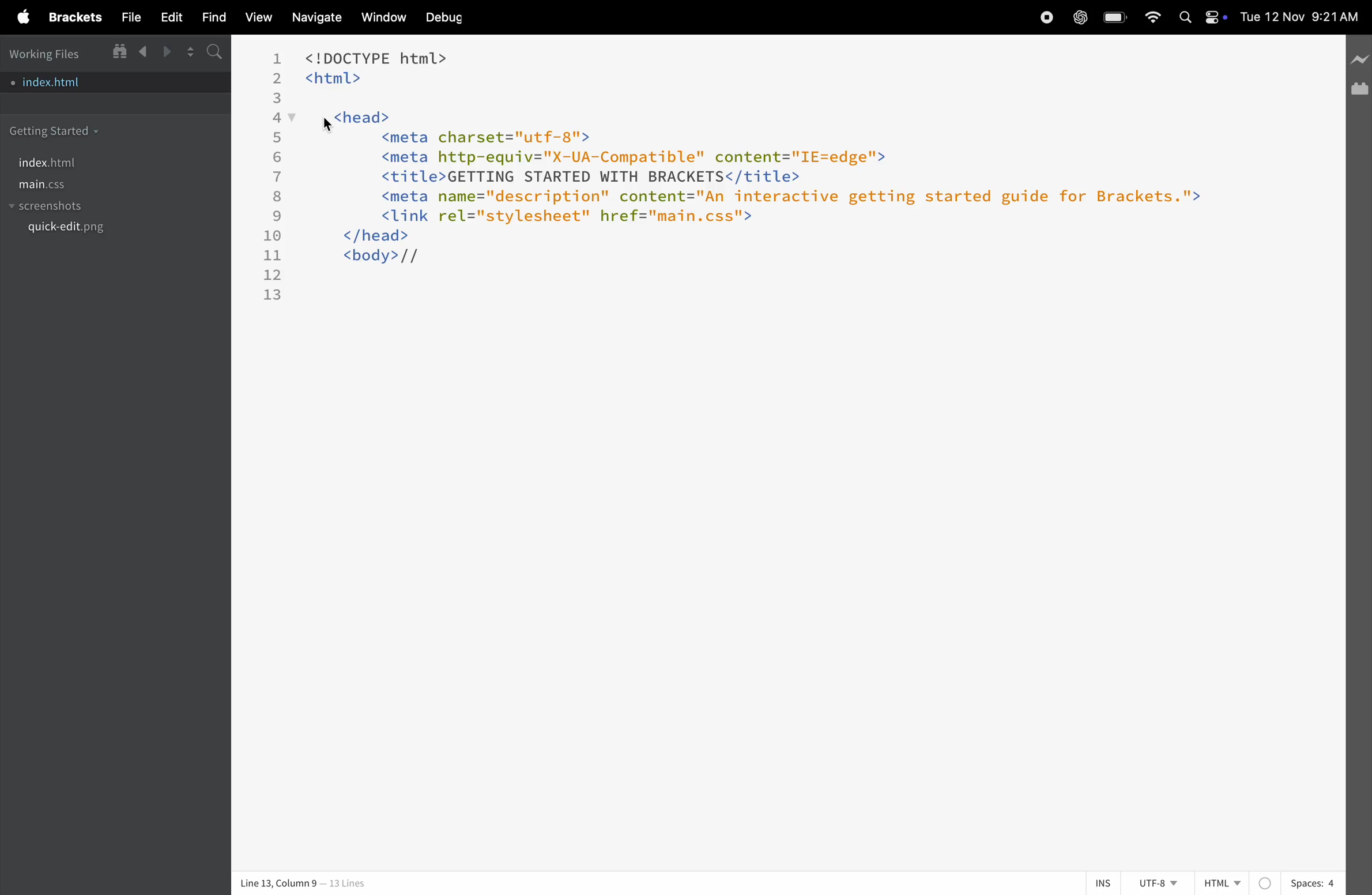 The height and width of the screenshot is (895, 1372). I want to click on backward, so click(144, 52).